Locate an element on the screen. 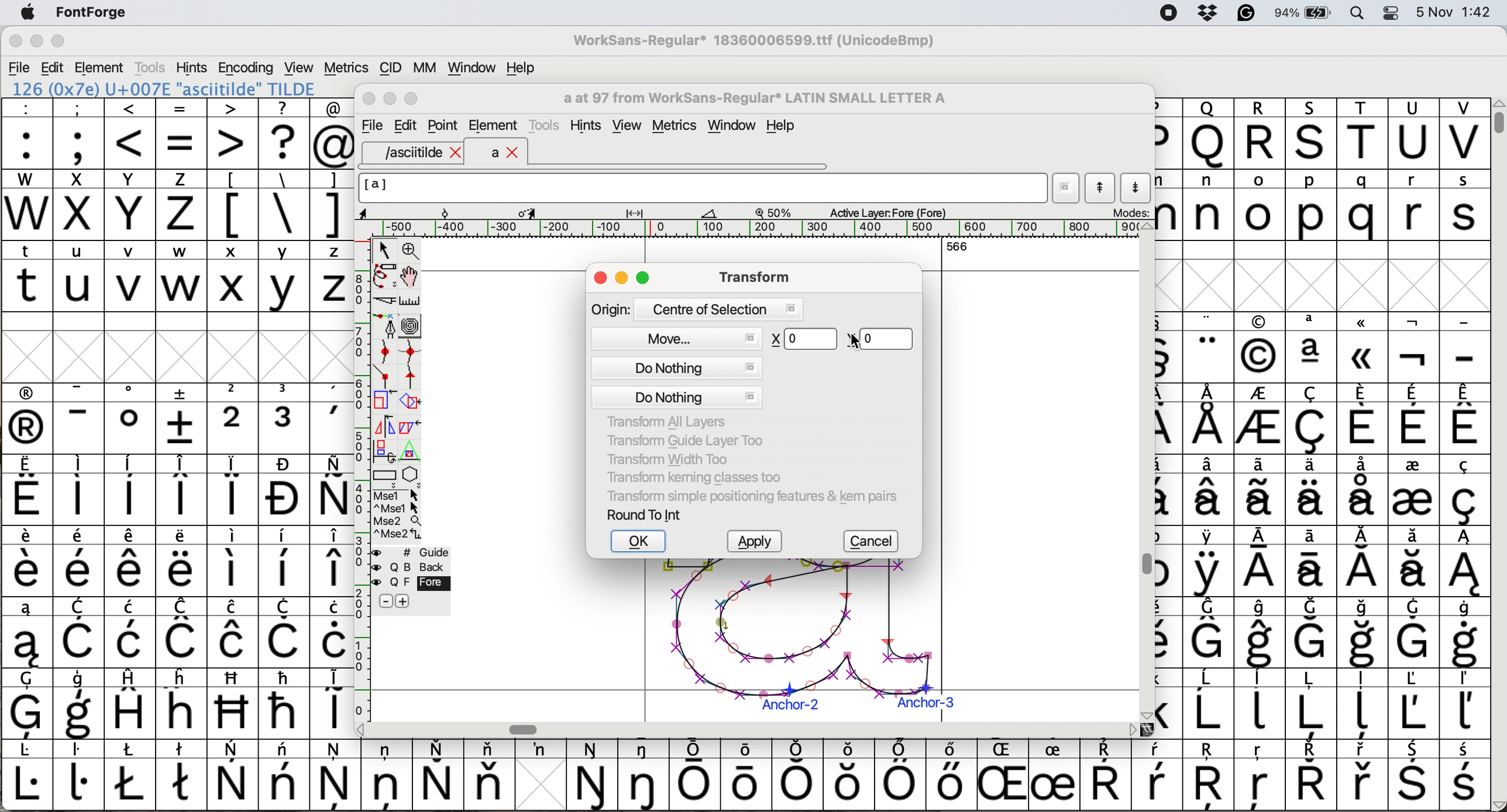 The height and width of the screenshot is (812, 1507). transform simple positioning features and kern pairs is located at coordinates (749, 498).